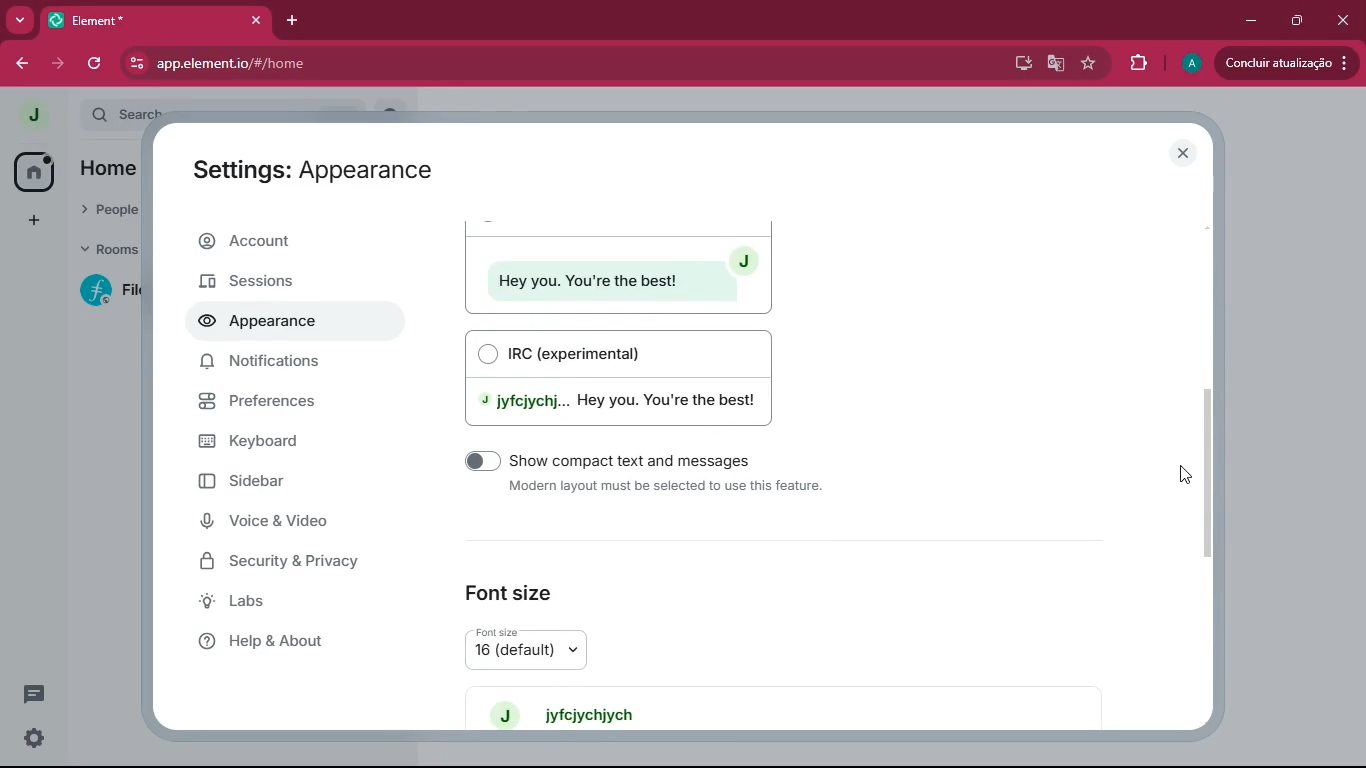  I want to click on add, so click(29, 220).